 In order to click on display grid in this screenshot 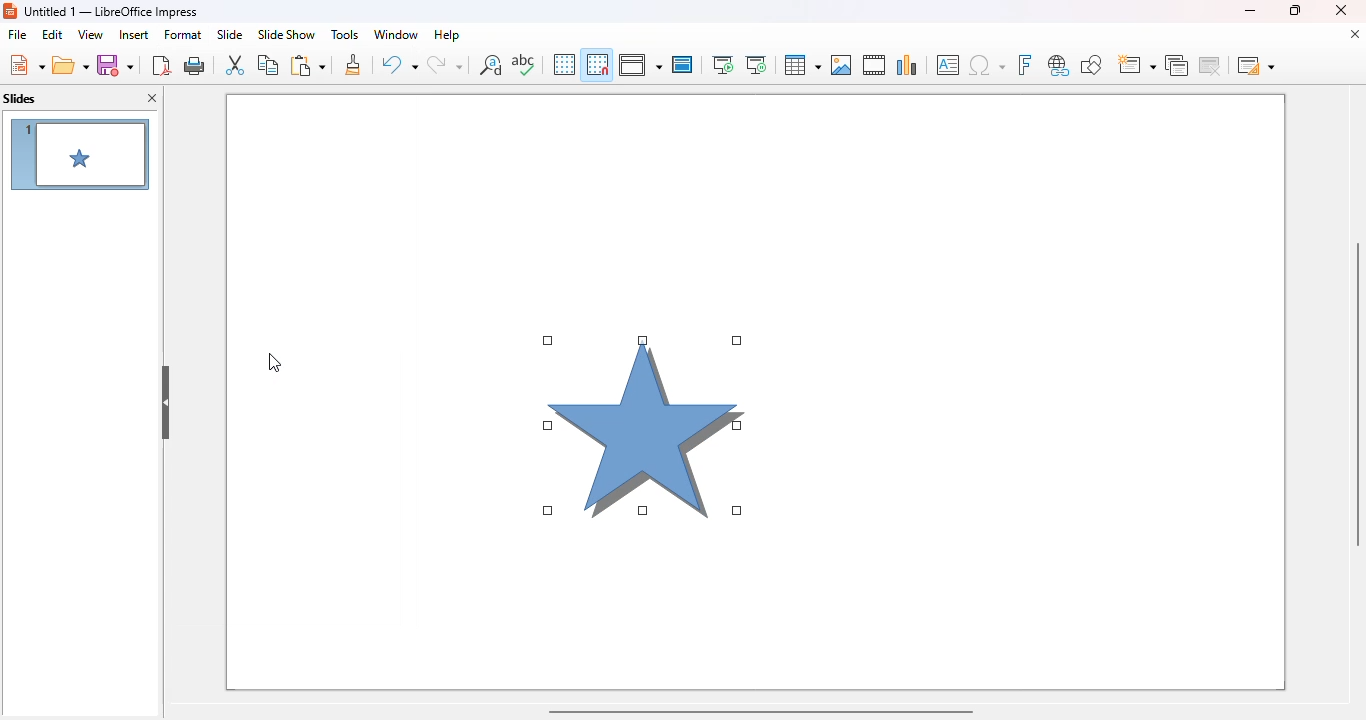, I will do `click(563, 64)`.